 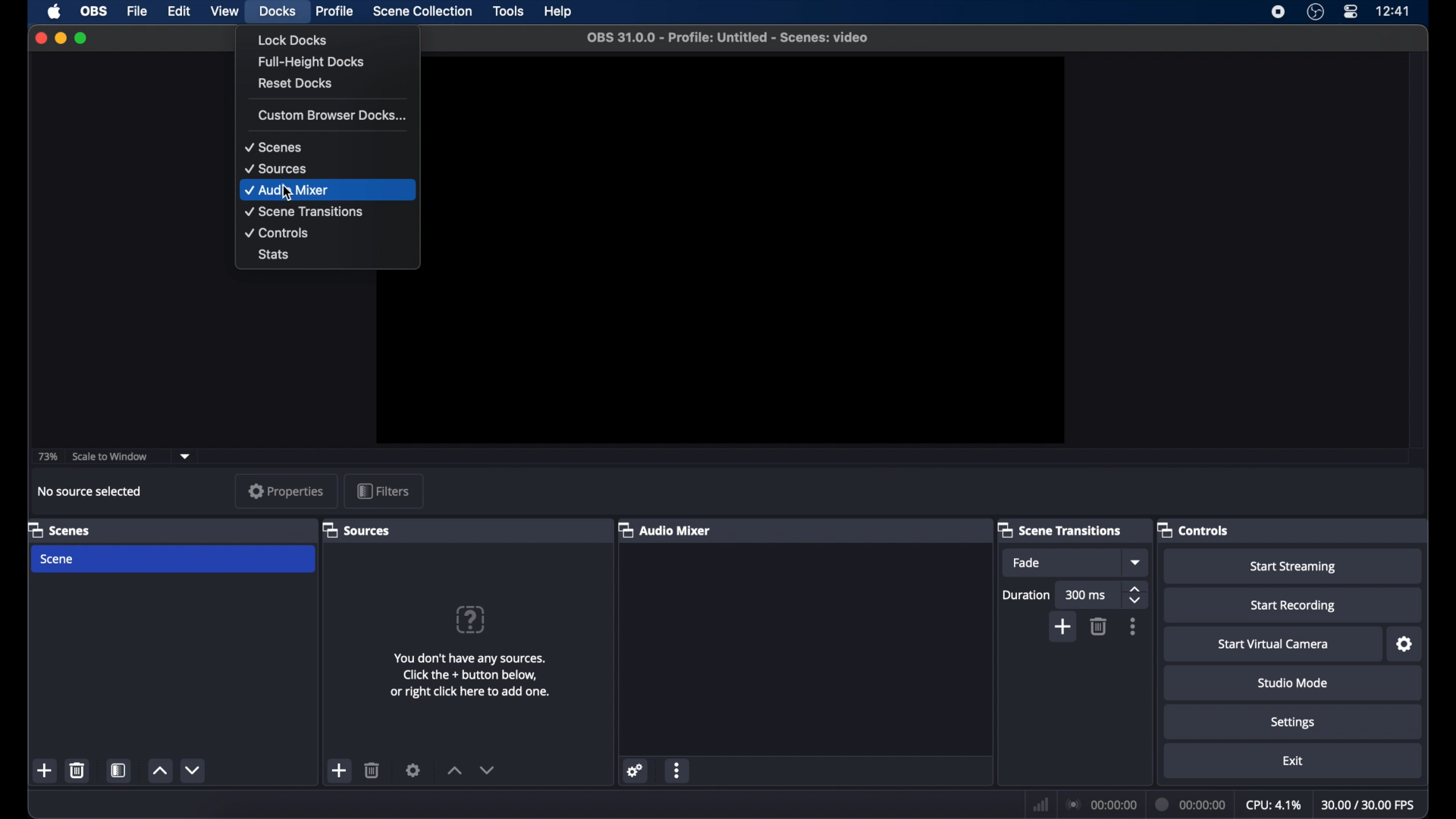 What do you see at coordinates (634, 770) in the screenshot?
I see `settings` at bounding box center [634, 770].